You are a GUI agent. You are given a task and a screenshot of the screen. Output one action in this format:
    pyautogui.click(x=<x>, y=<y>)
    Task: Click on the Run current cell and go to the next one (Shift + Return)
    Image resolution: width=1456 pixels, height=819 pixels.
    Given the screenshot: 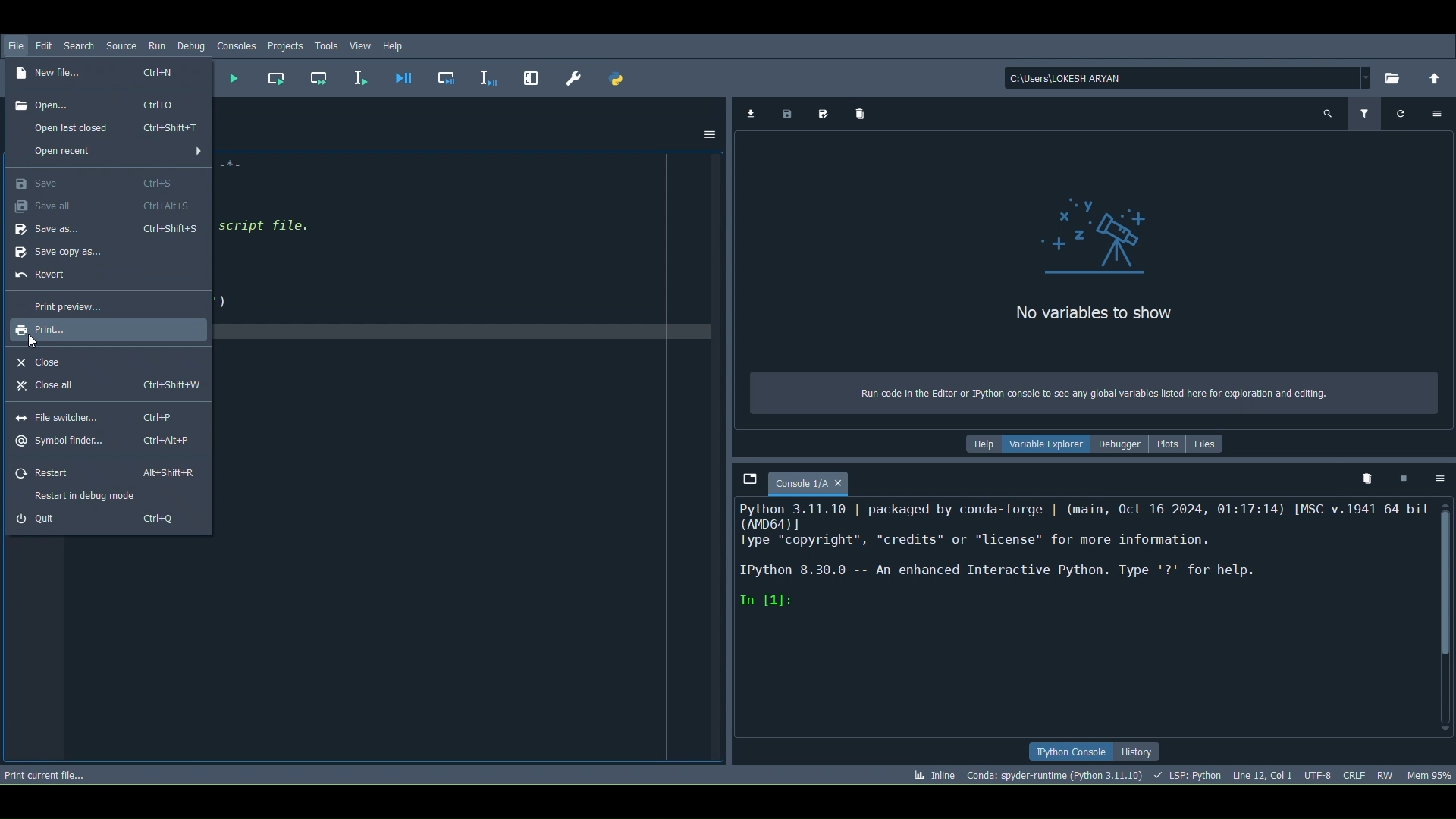 What is the action you would take?
    pyautogui.click(x=322, y=77)
    